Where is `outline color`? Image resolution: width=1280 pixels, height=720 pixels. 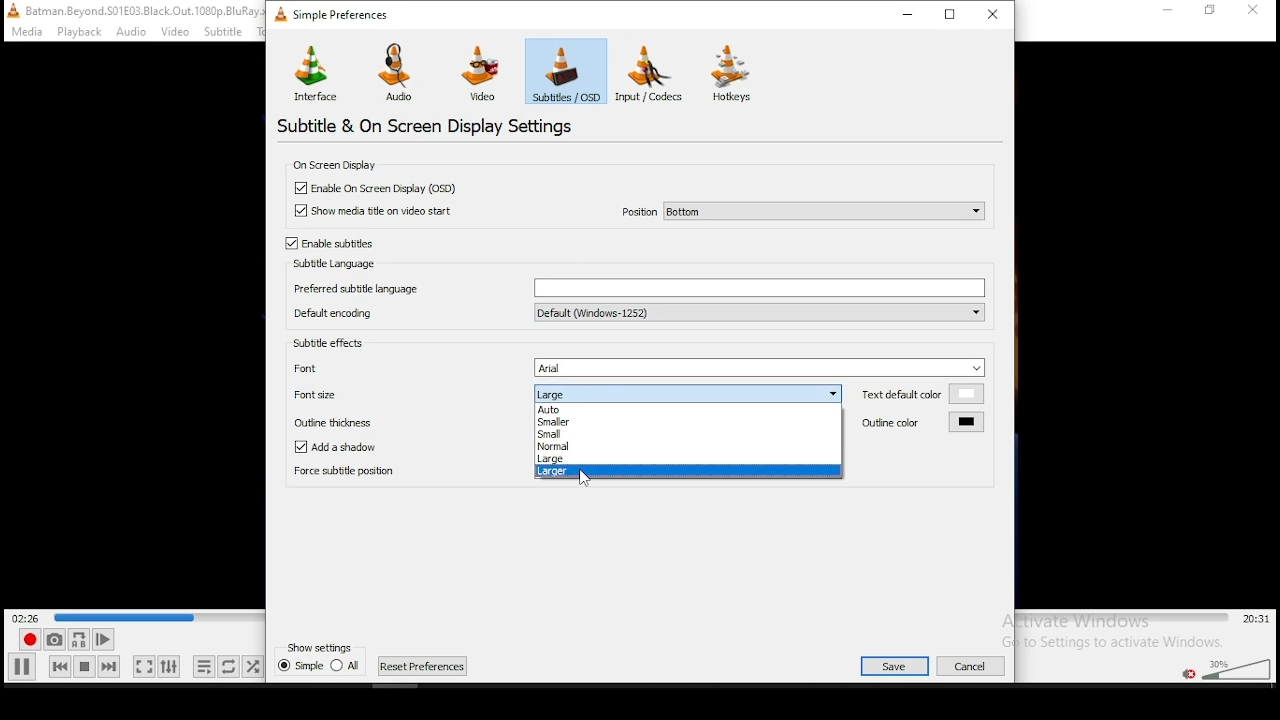
outline color is located at coordinates (923, 421).